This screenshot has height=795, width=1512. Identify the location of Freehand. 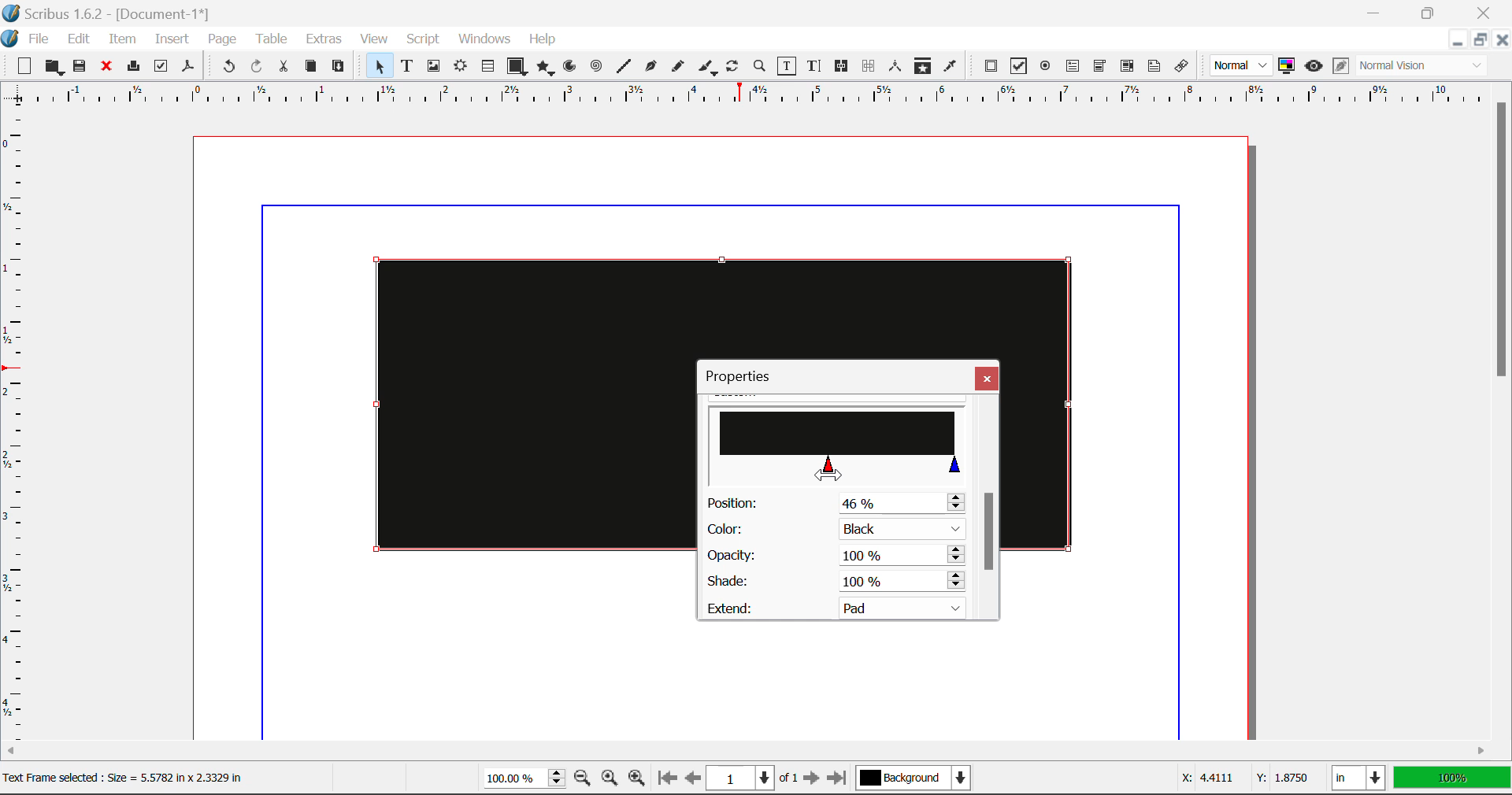
(679, 70).